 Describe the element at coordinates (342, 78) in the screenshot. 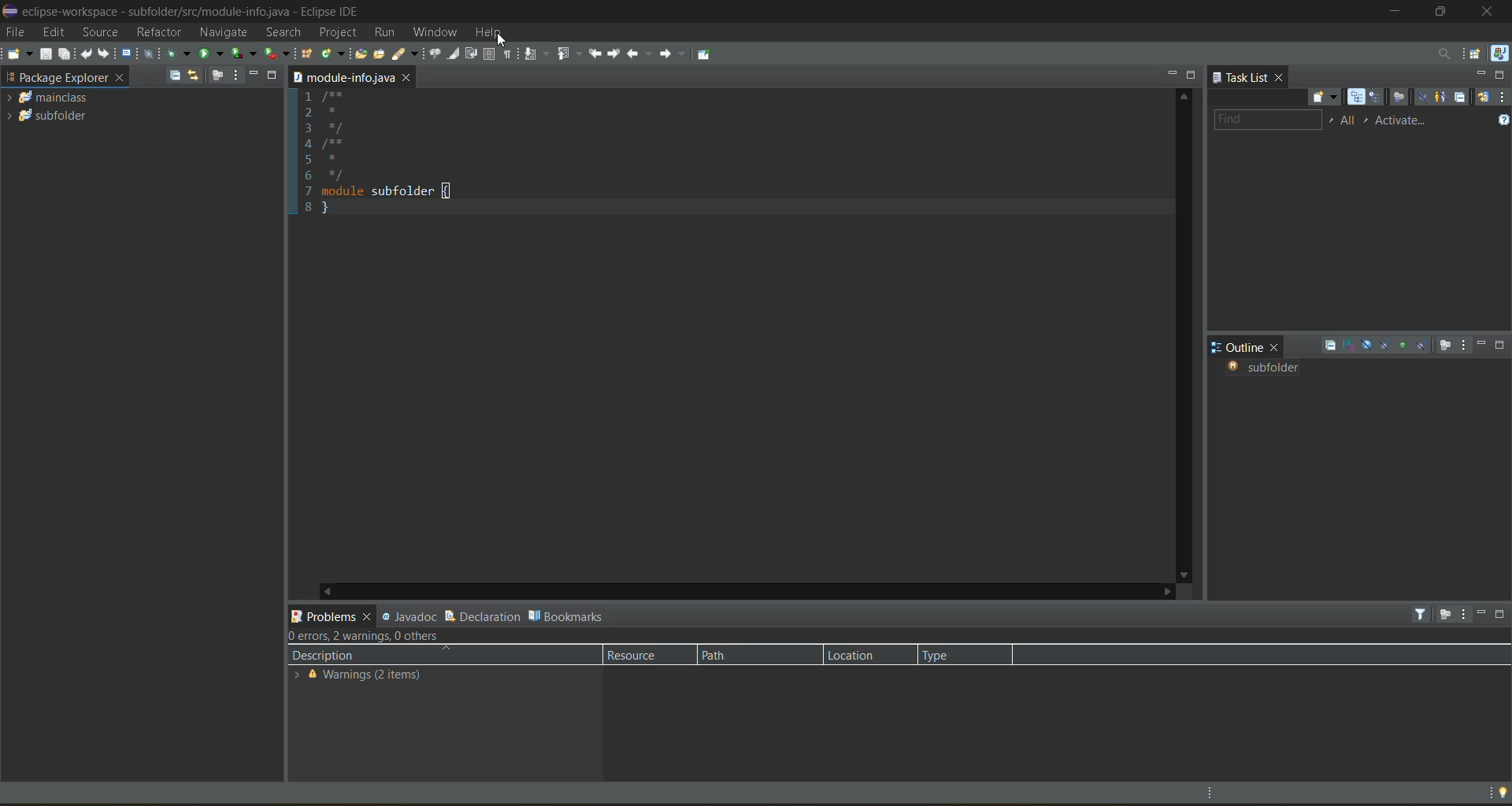

I see `folder location` at that location.